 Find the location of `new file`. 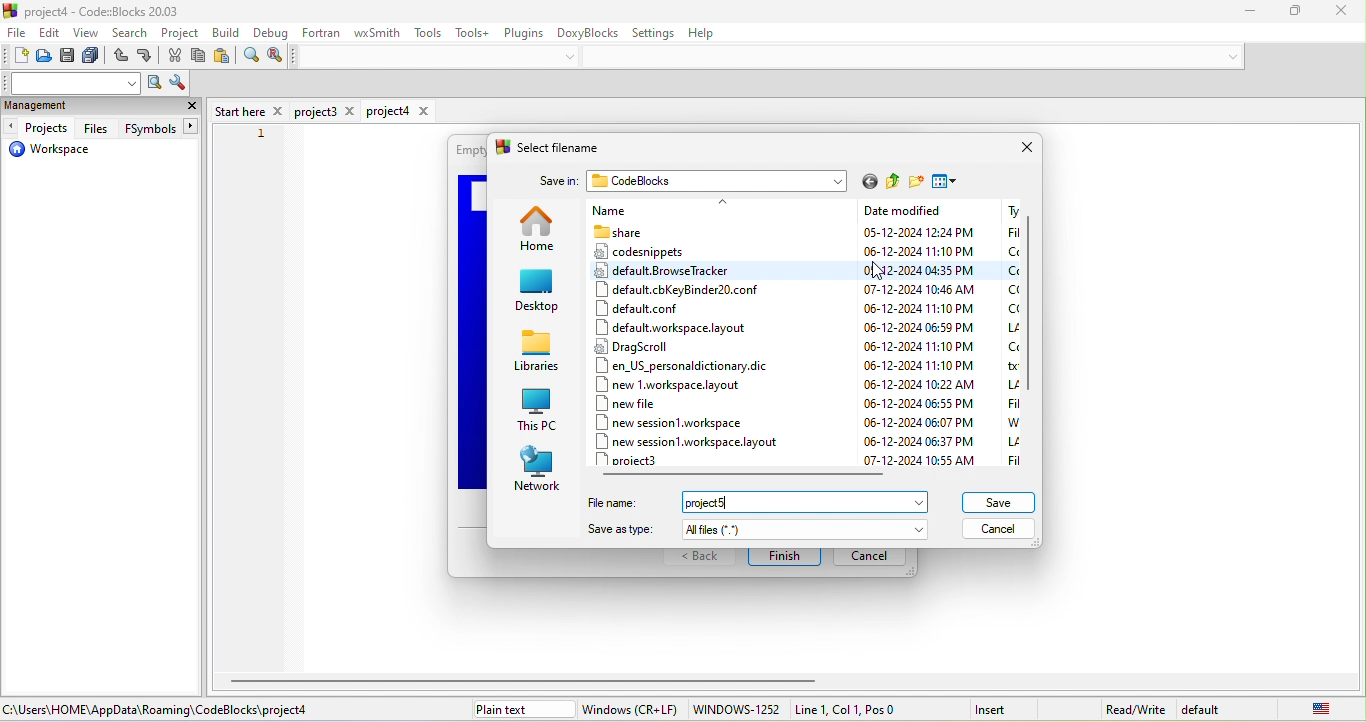

new file is located at coordinates (642, 404).